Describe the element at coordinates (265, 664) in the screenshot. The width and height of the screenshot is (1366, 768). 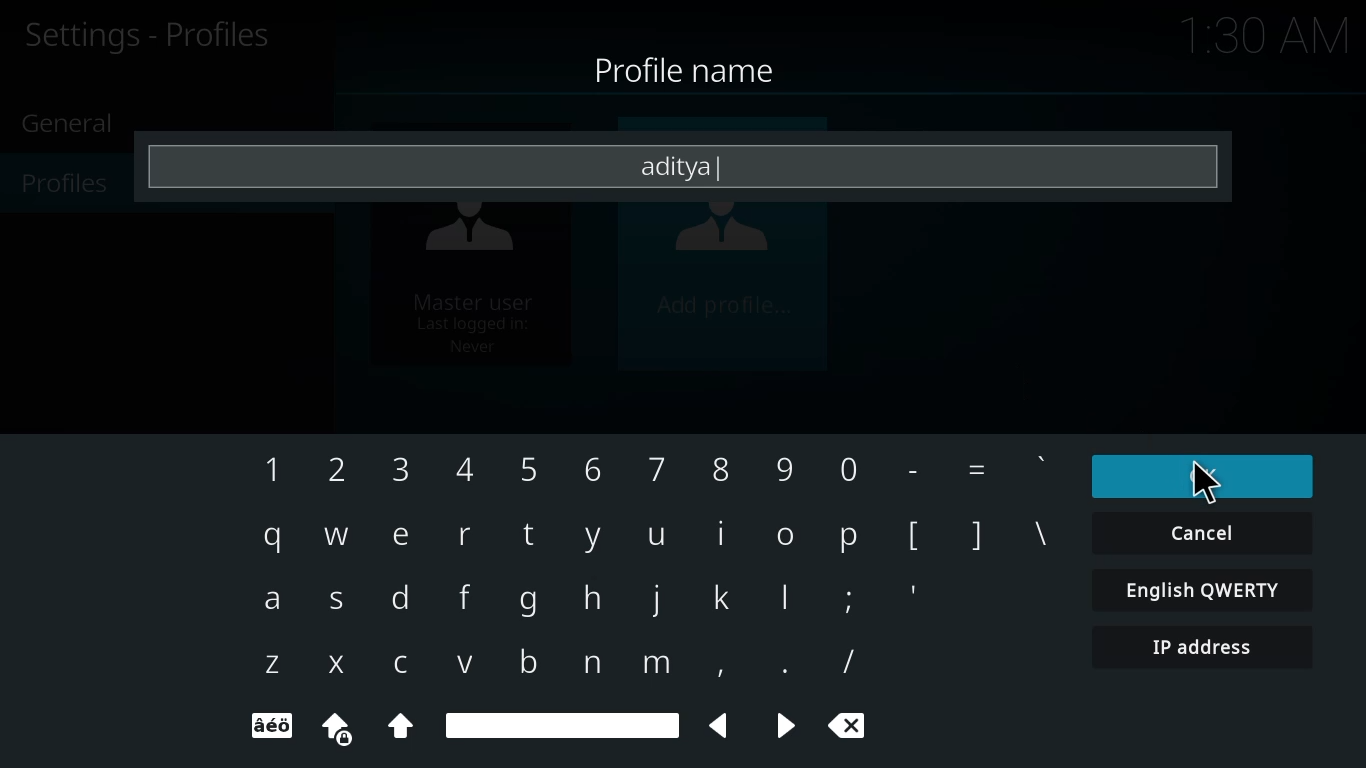
I see `z` at that location.